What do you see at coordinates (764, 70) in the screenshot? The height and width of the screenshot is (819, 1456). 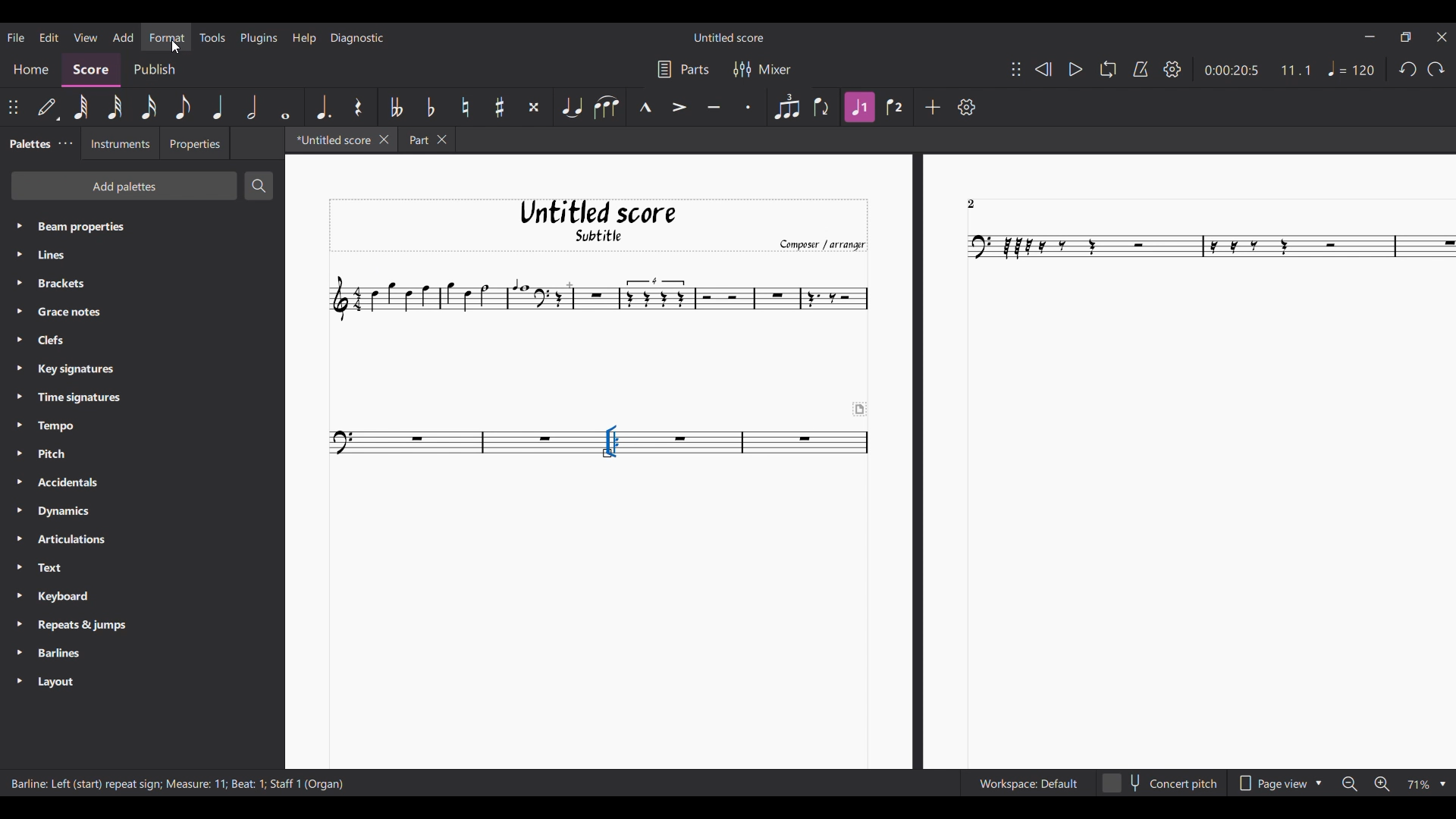 I see `Mixer settings` at bounding box center [764, 70].